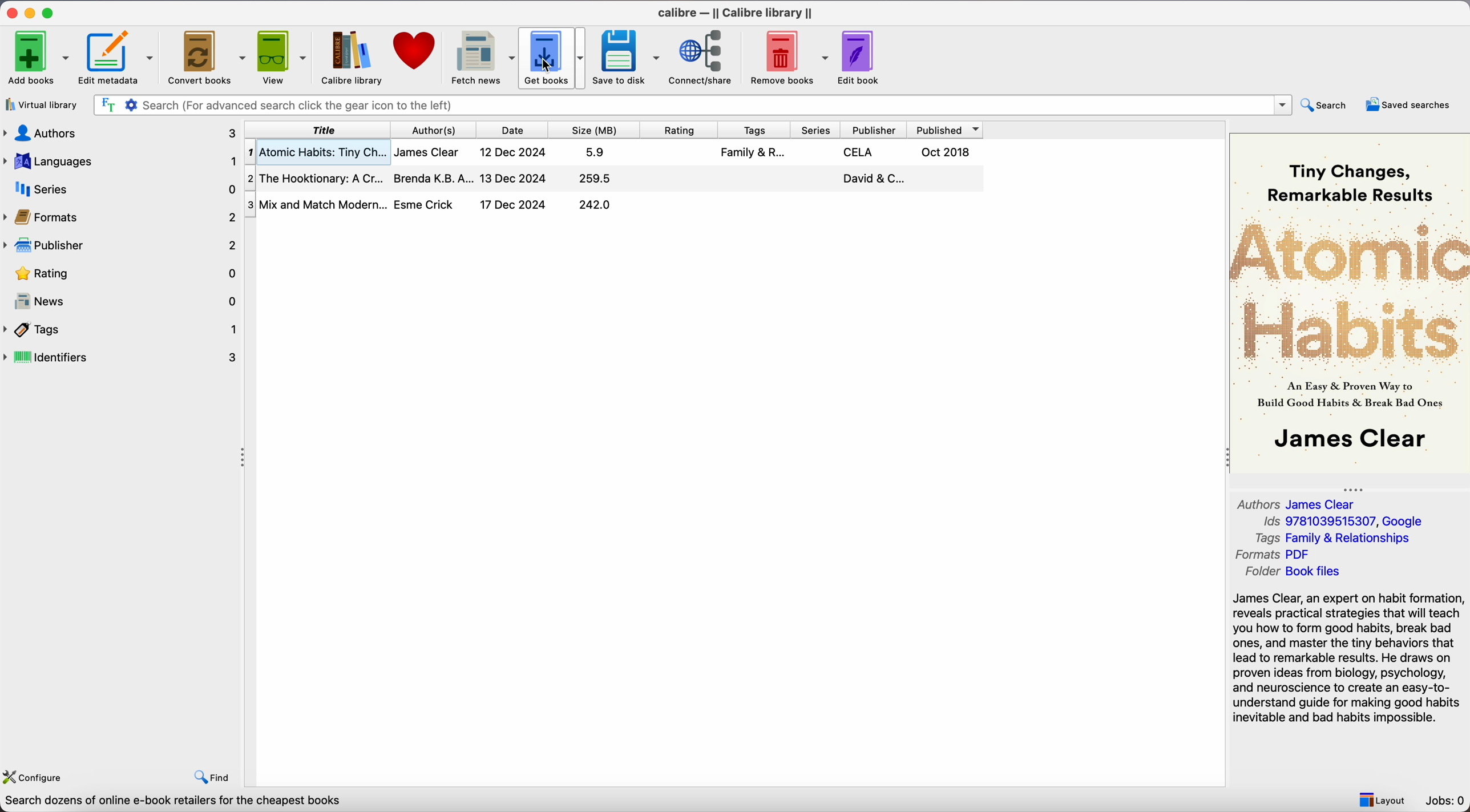 The height and width of the screenshot is (812, 1470). I want to click on 12 Dec 2024, so click(513, 152).